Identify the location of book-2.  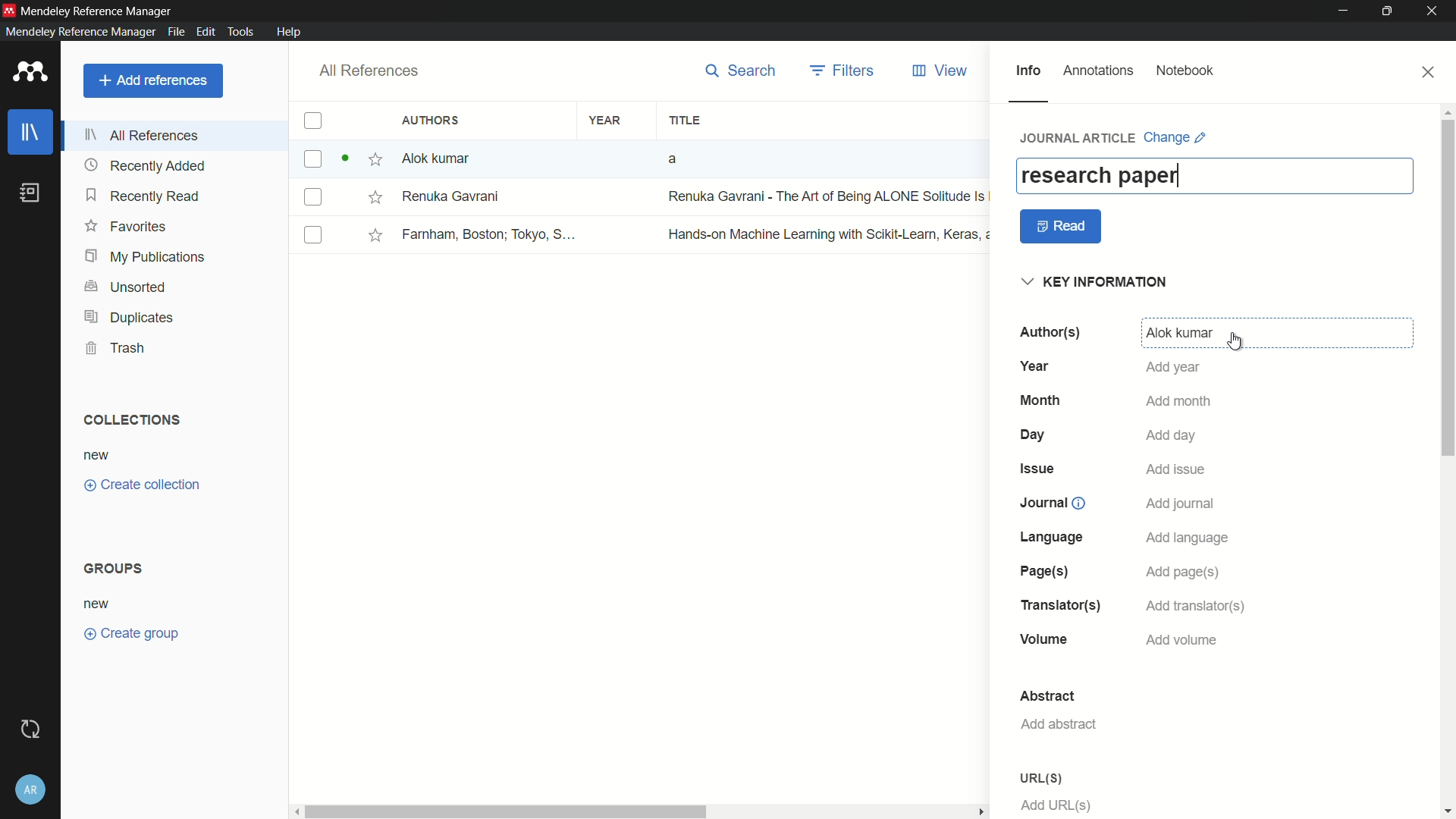
(644, 197).